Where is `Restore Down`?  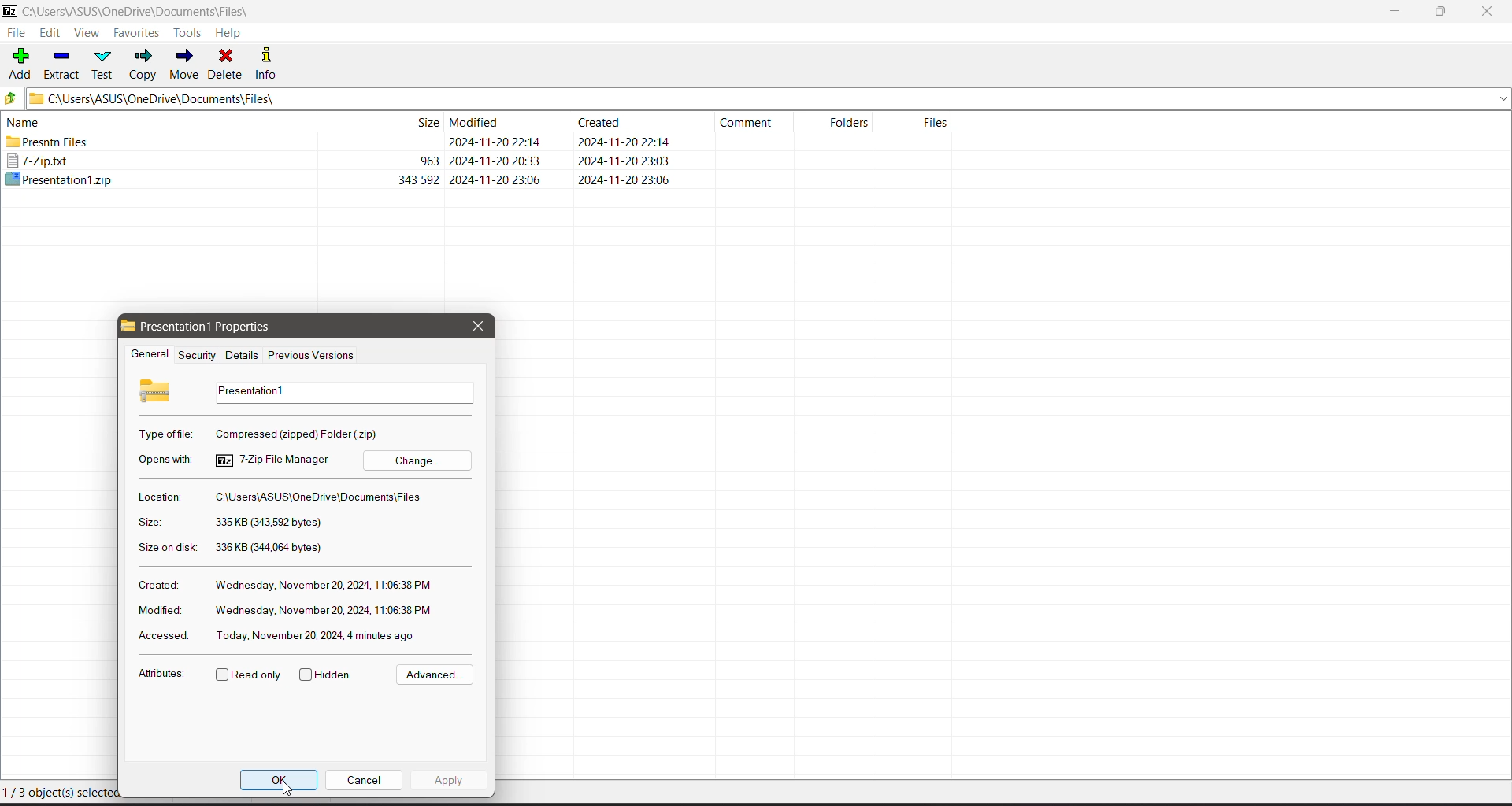
Restore Down is located at coordinates (1442, 12).